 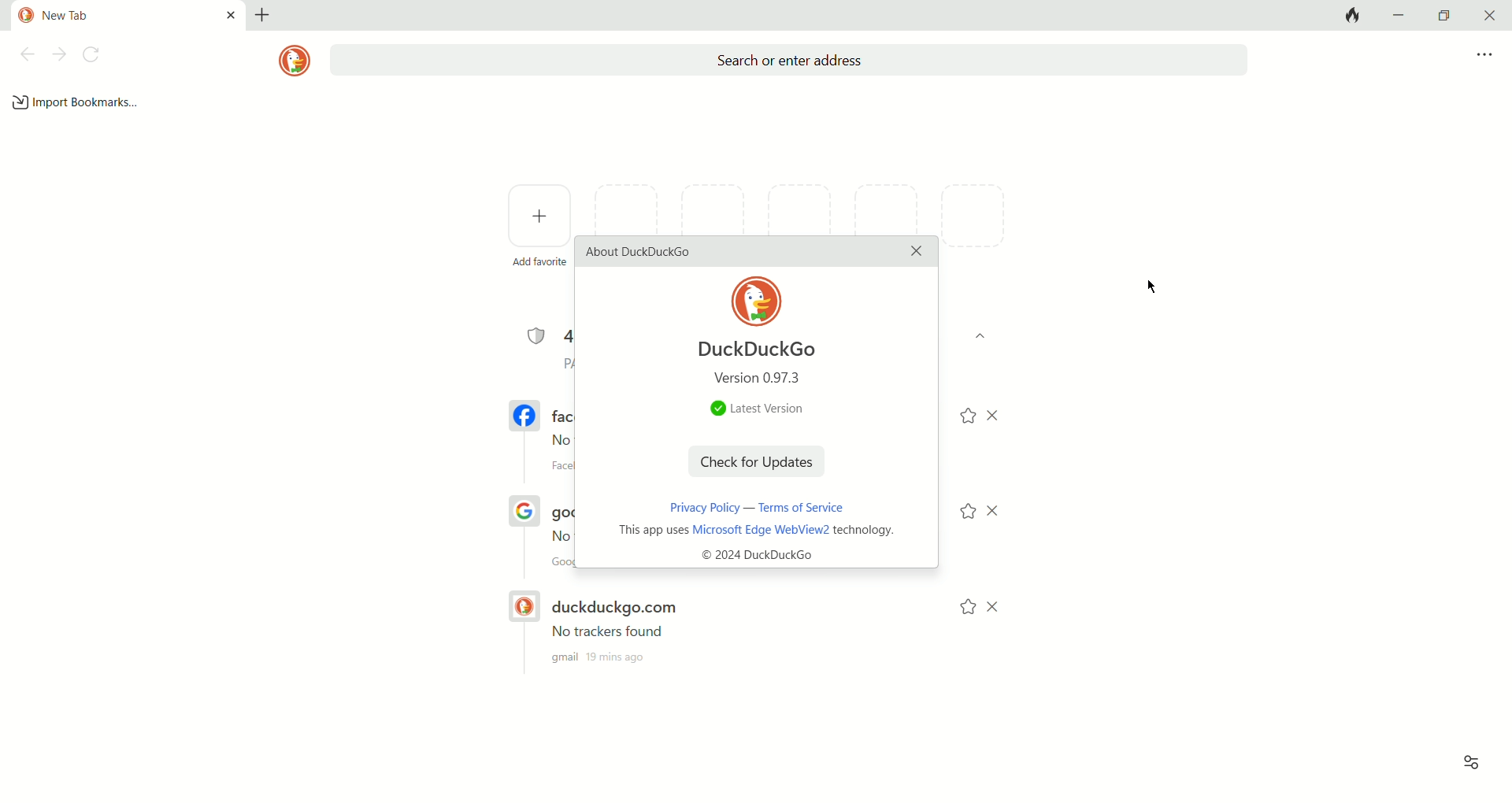 I want to click on add tab, so click(x=266, y=14).